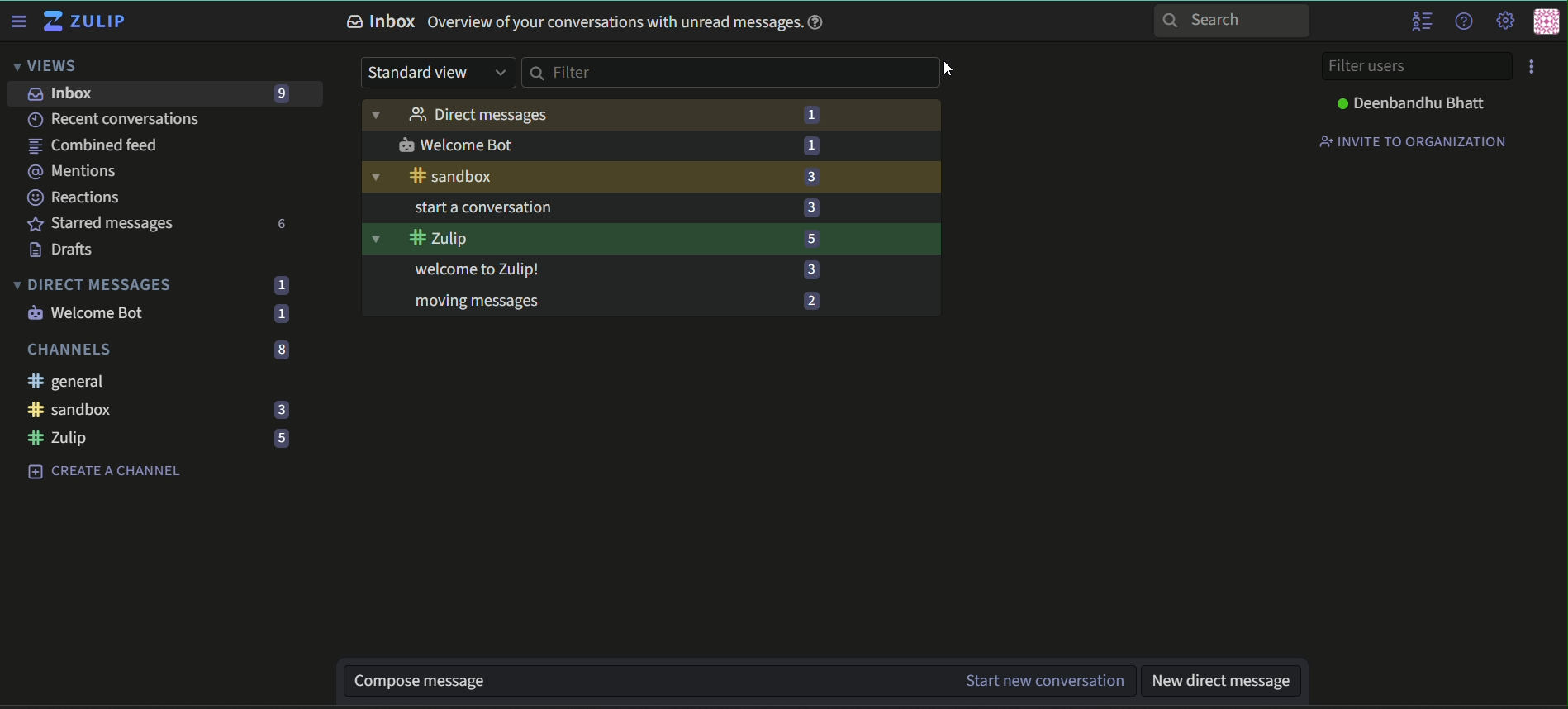  I want to click on number, so click(278, 93).